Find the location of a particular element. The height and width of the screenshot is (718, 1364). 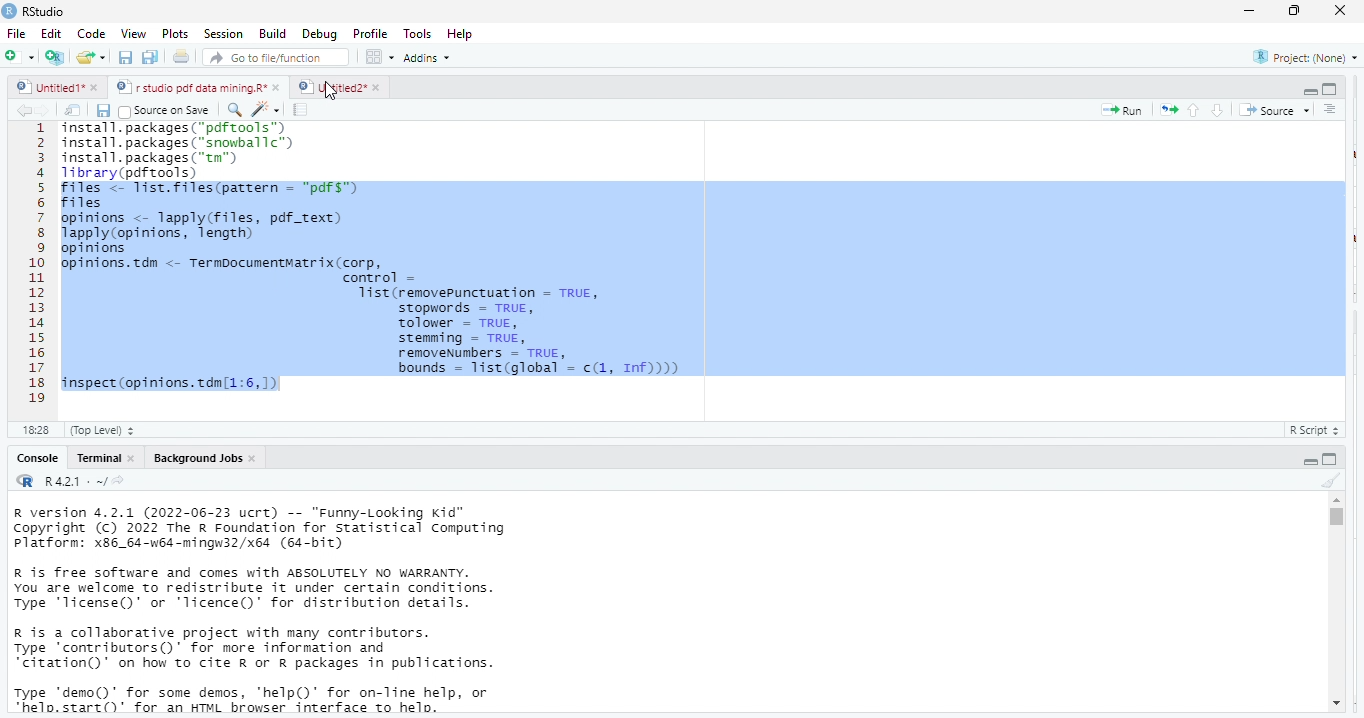

debug is located at coordinates (317, 33).